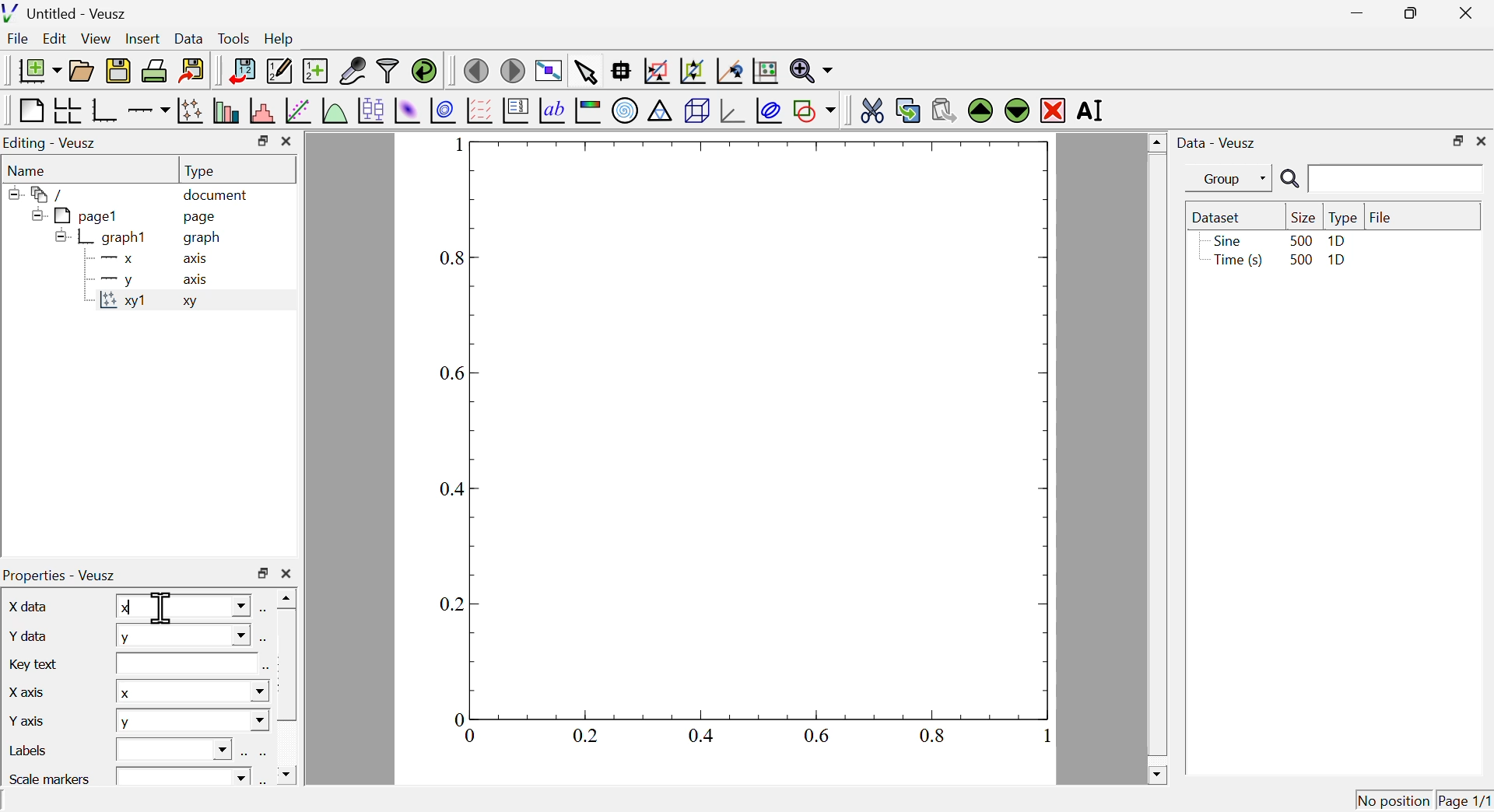 The image size is (1494, 812). Describe the element at coordinates (454, 259) in the screenshot. I see `0.8` at that location.